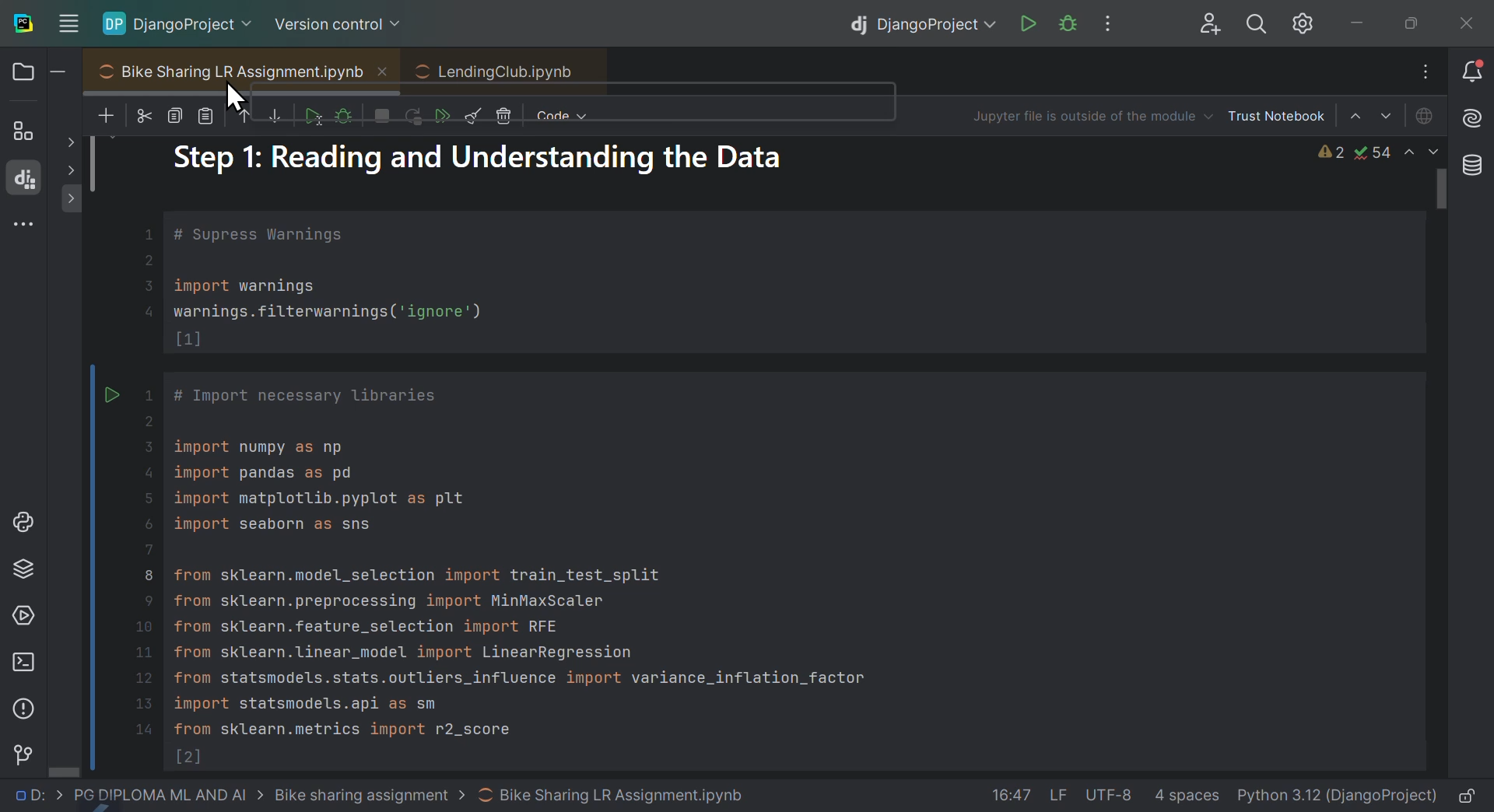 The image size is (1494, 812). Describe the element at coordinates (281, 115) in the screenshot. I see `Move sail down` at that location.